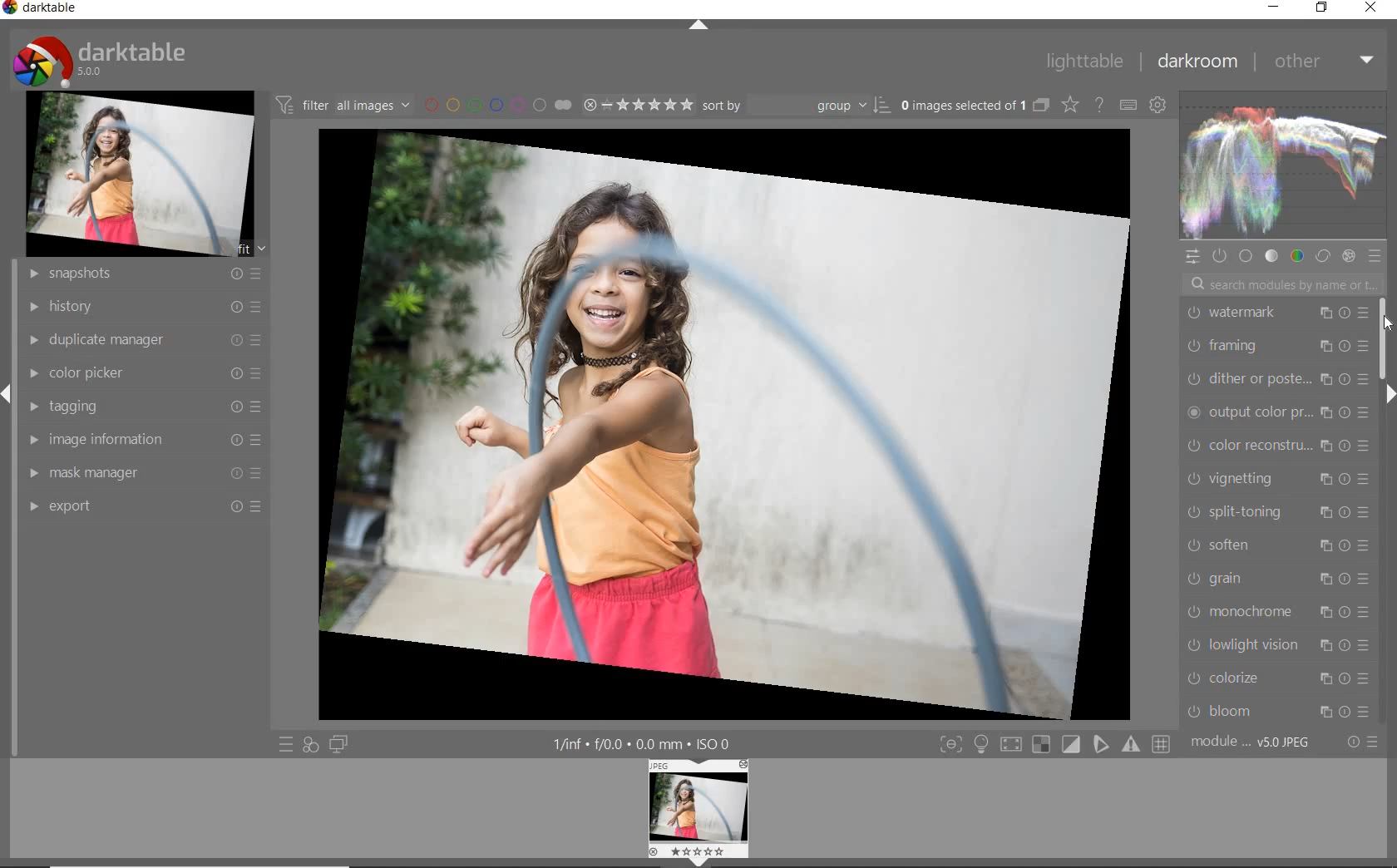 The width and height of the screenshot is (1397, 868). Describe the element at coordinates (638, 744) in the screenshot. I see `other interface details` at that location.